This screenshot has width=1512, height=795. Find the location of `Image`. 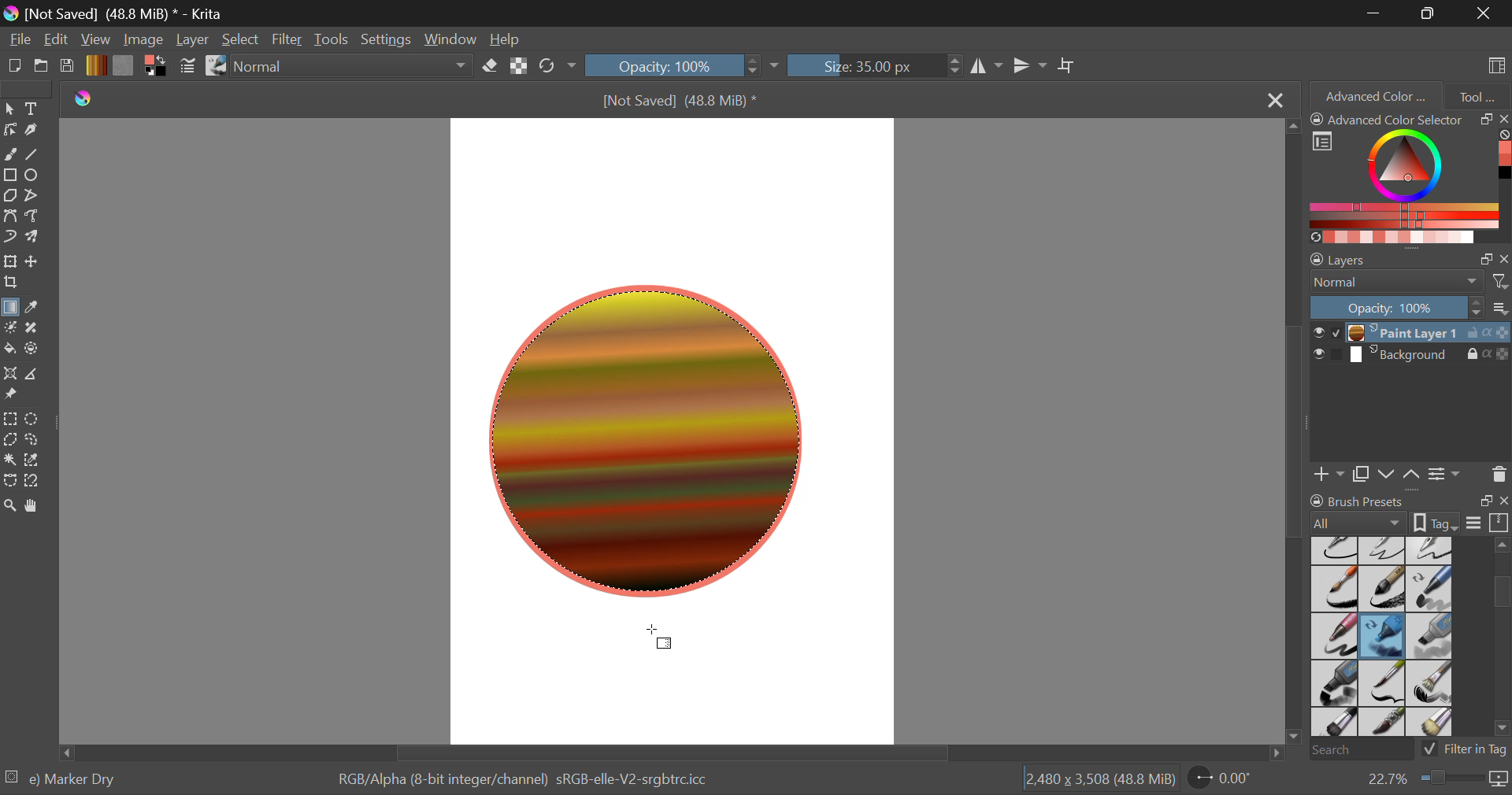

Image is located at coordinates (145, 39).